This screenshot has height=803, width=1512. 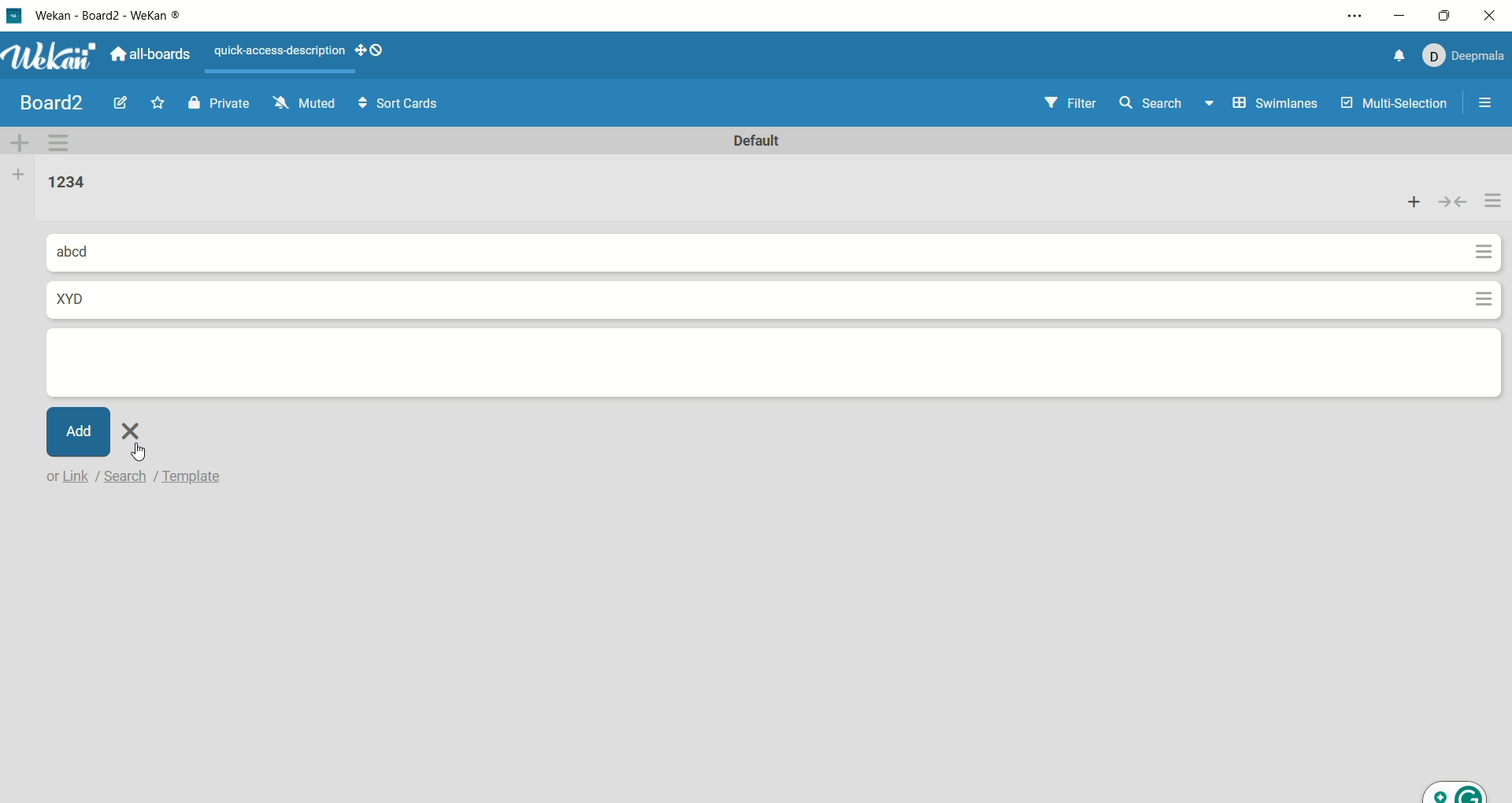 What do you see at coordinates (162, 102) in the screenshot?
I see `favorite` at bounding box center [162, 102].